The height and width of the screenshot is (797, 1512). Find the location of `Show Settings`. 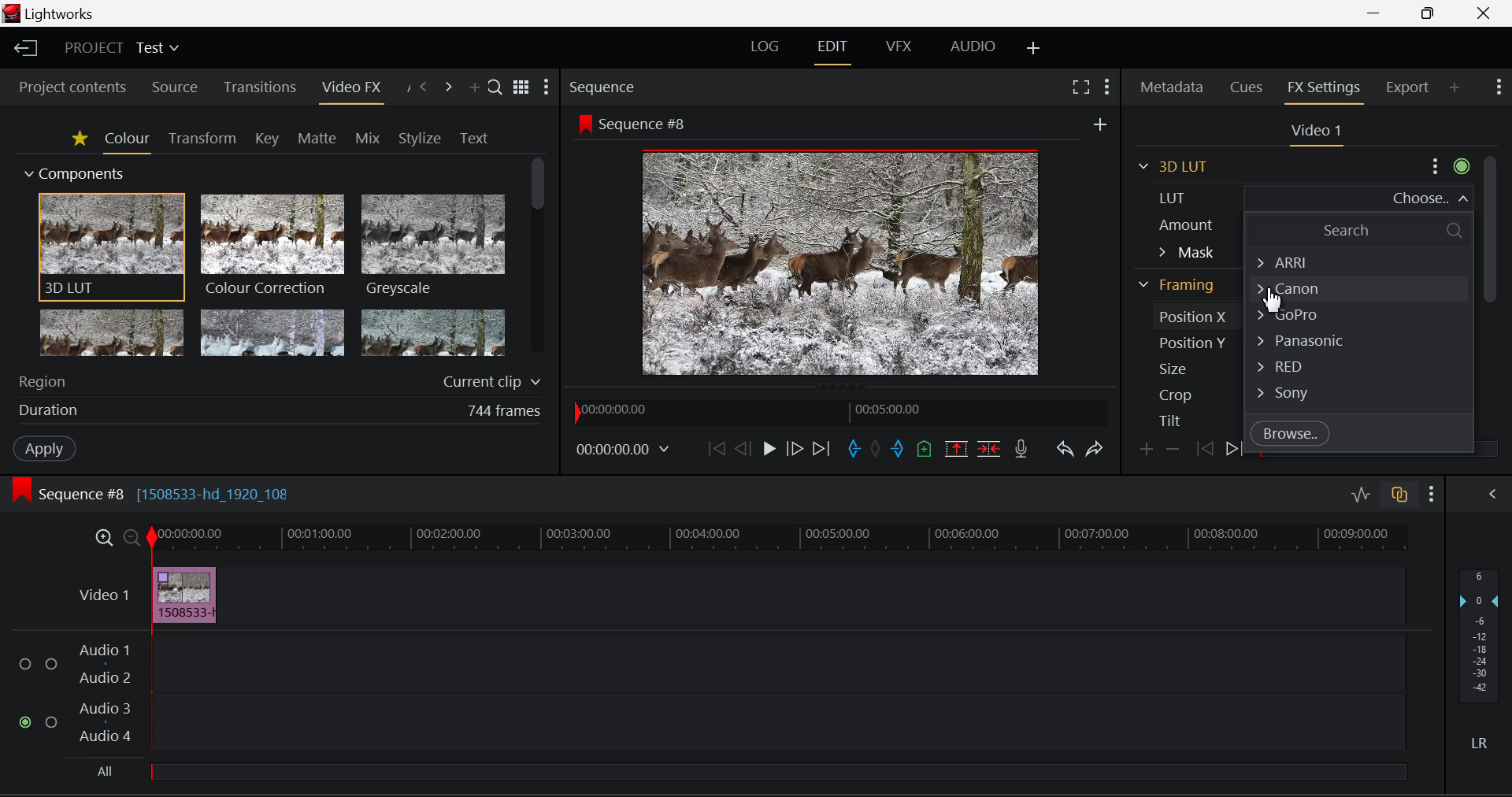

Show Settings is located at coordinates (1431, 494).